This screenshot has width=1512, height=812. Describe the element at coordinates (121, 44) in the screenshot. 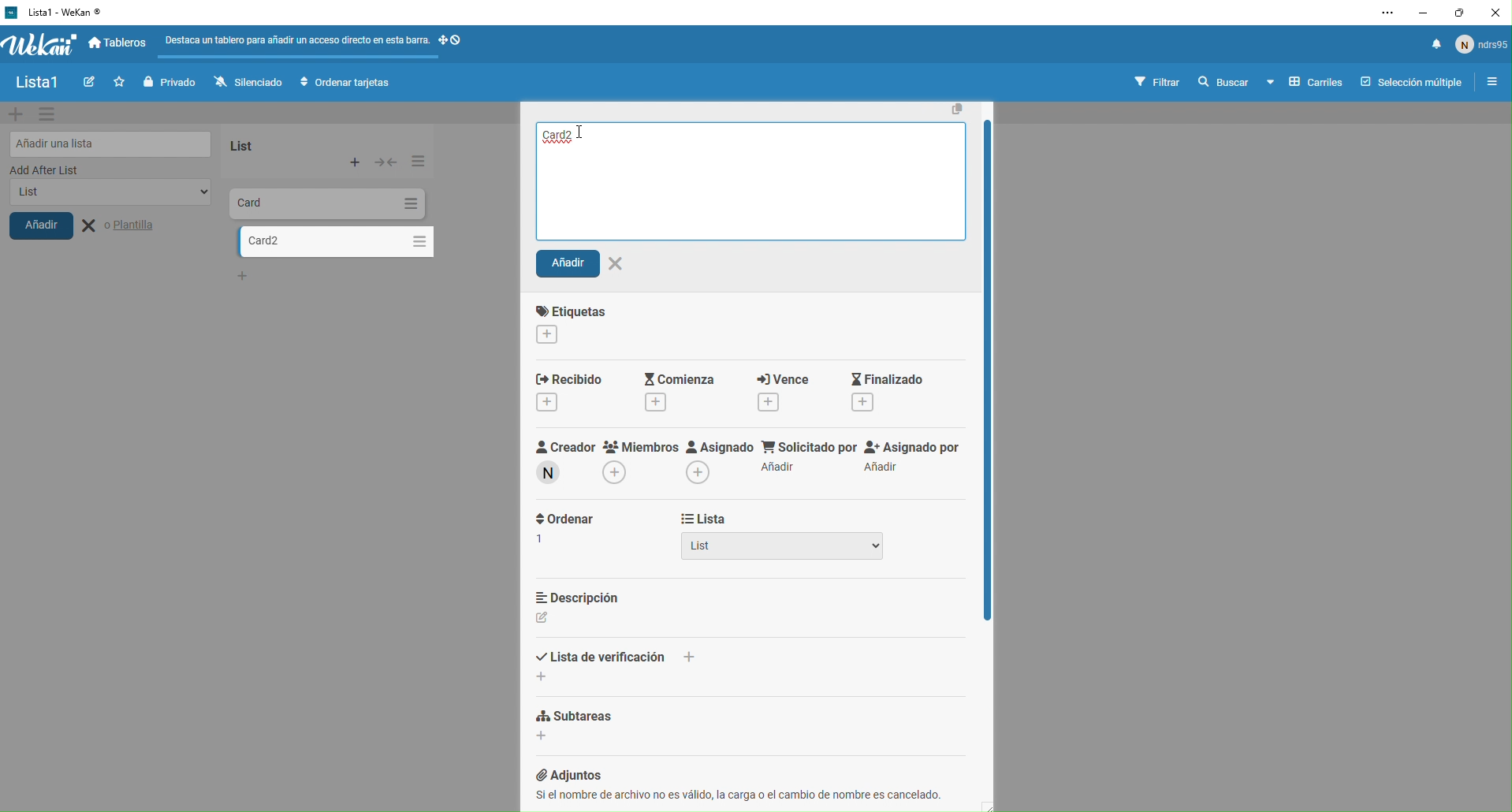

I see `tableros` at that location.